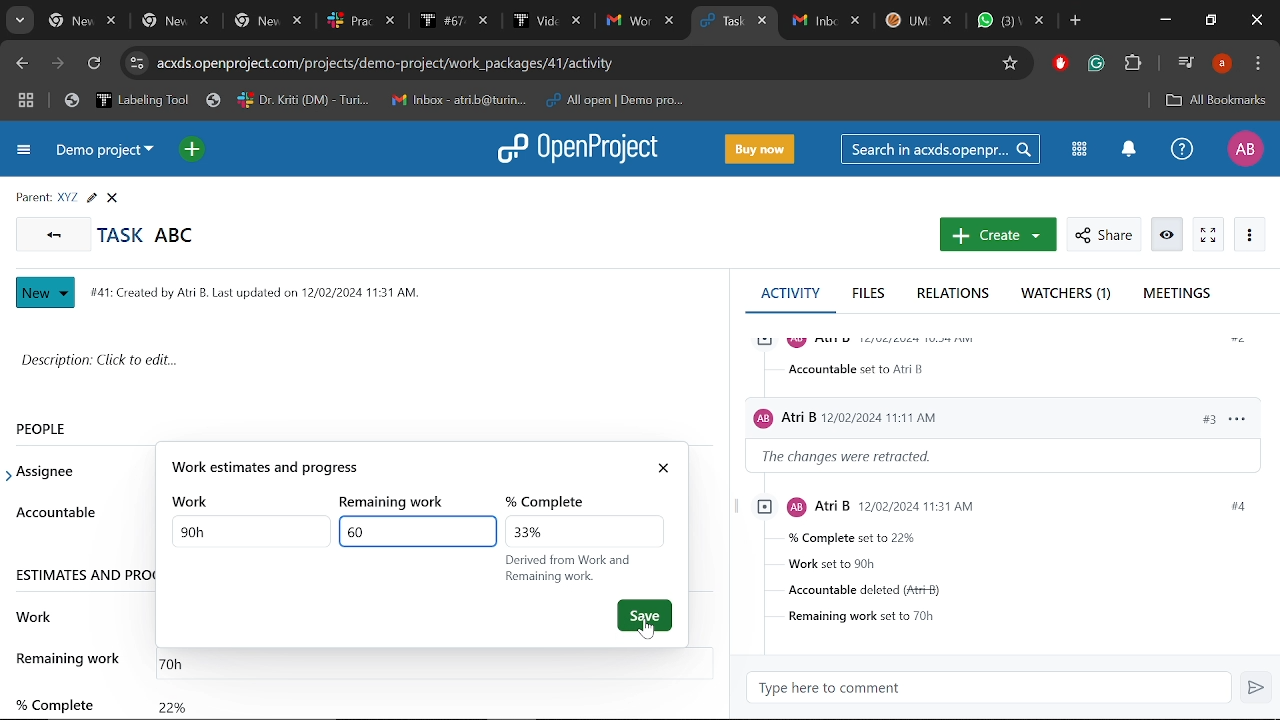 The image size is (1280, 720). I want to click on Remaining work, so click(181, 660).